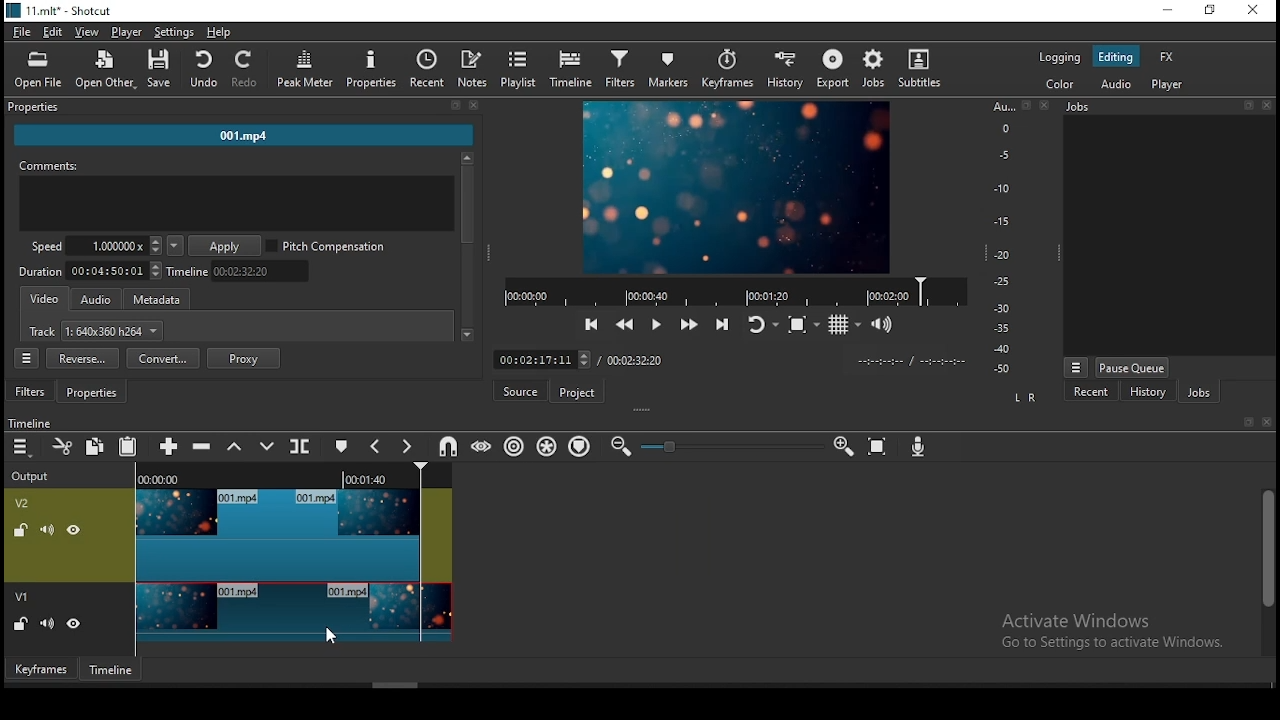 This screenshot has height=720, width=1280. Describe the element at coordinates (113, 669) in the screenshot. I see `timeline` at that location.